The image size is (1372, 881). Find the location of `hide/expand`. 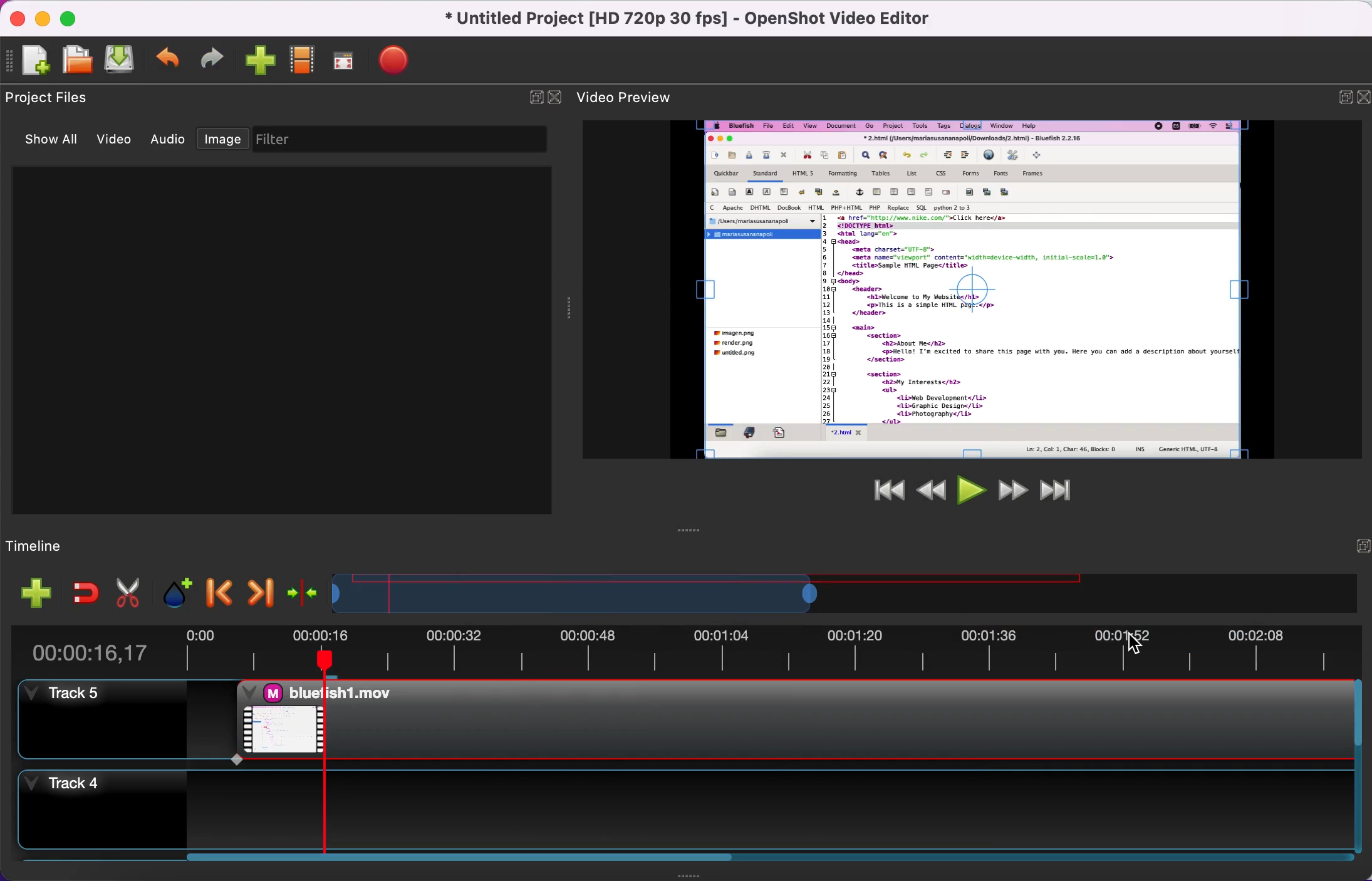

hide/expand is located at coordinates (1354, 547).